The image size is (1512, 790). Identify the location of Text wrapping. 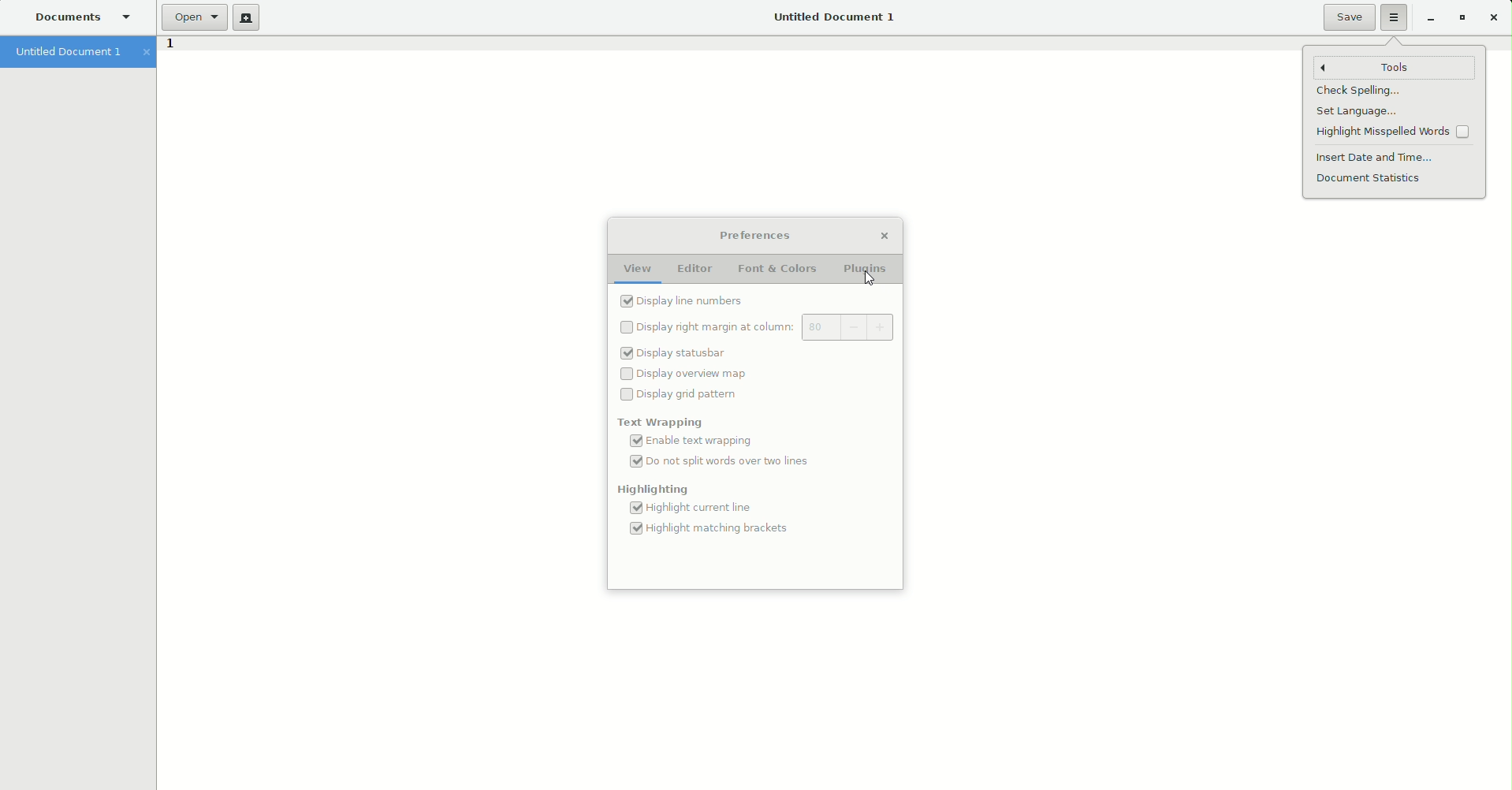
(658, 421).